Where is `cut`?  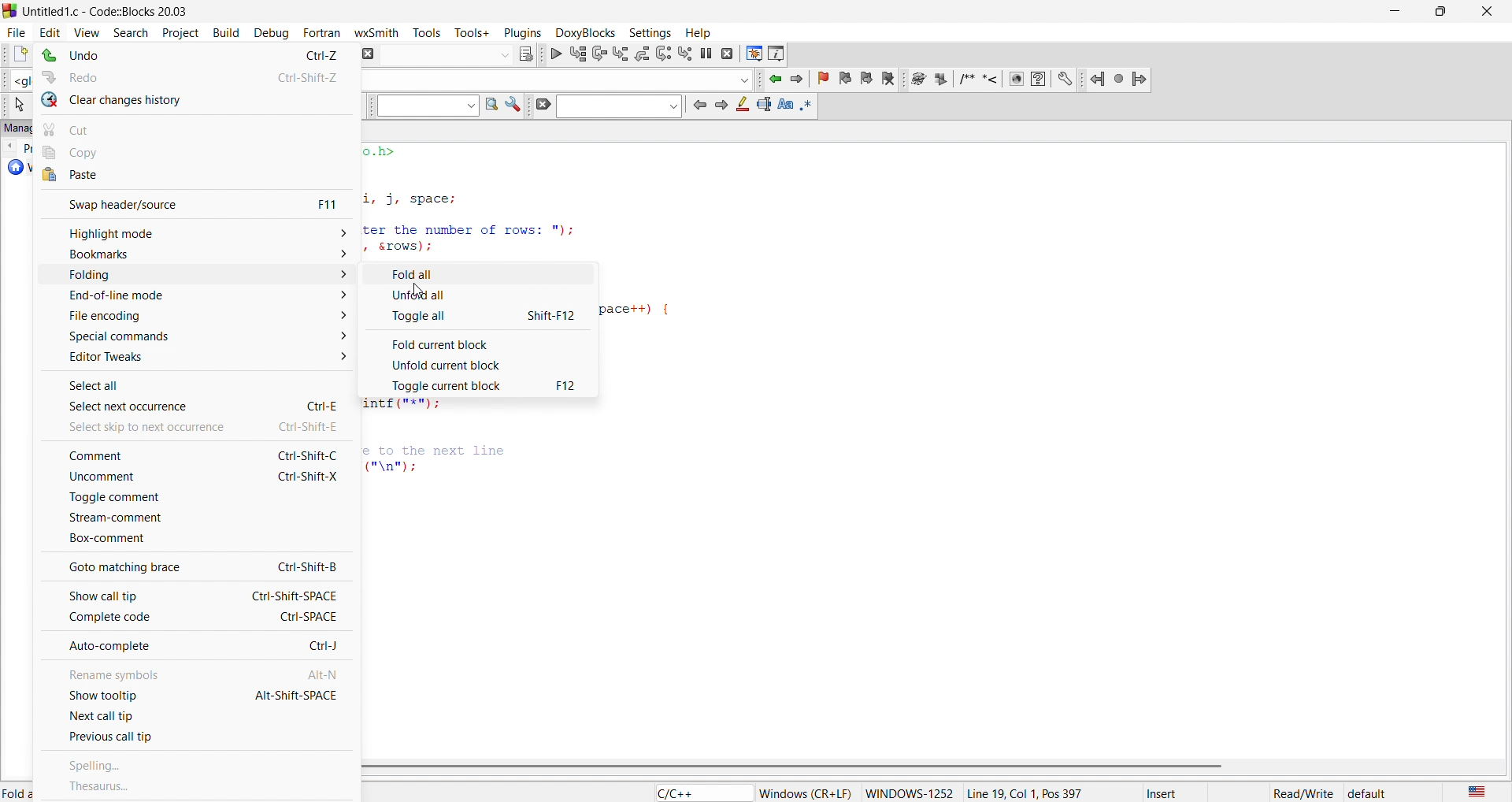
cut is located at coordinates (198, 127).